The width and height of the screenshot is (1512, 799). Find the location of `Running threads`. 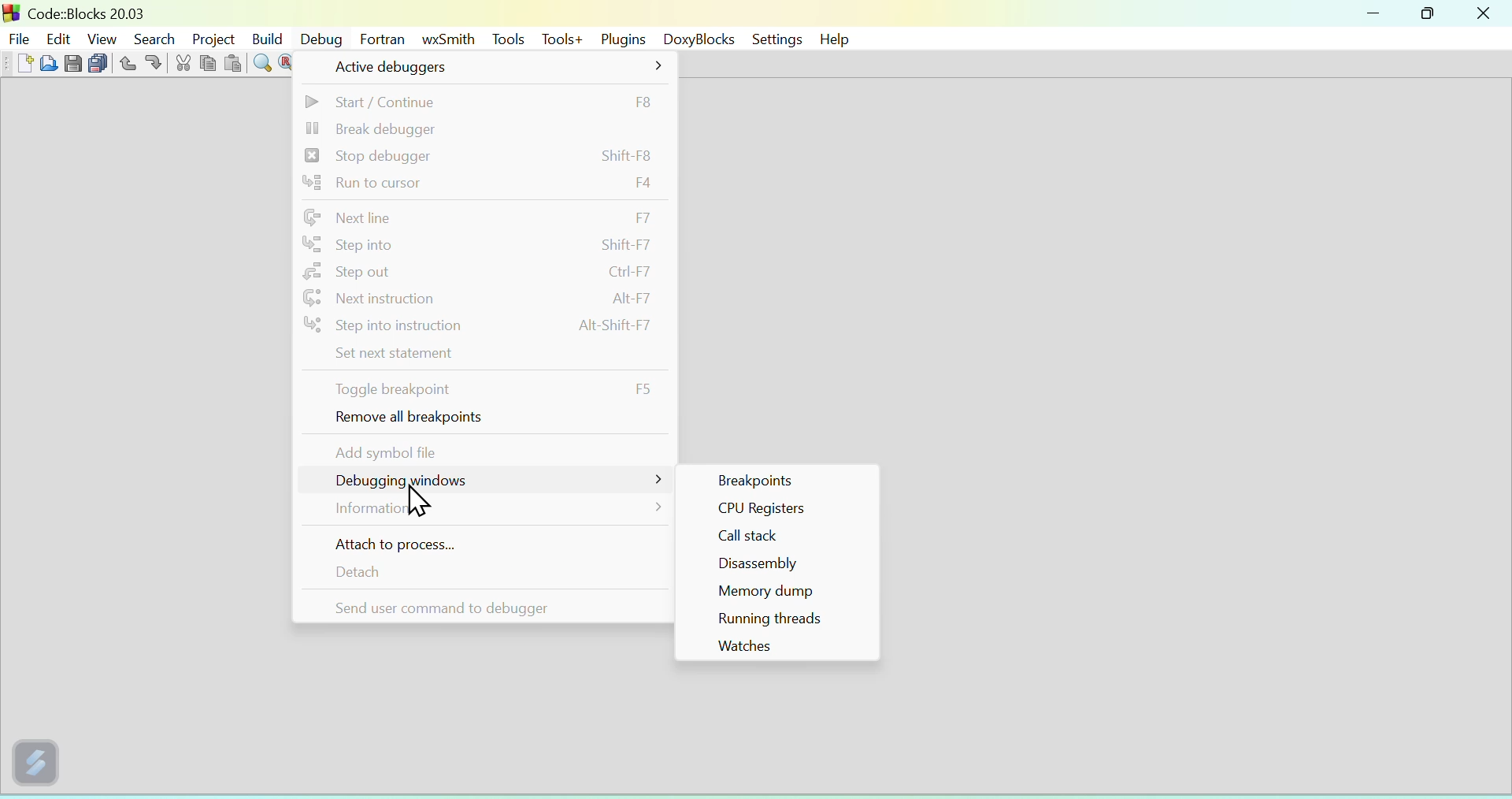

Running threads is located at coordinates (780, 619).